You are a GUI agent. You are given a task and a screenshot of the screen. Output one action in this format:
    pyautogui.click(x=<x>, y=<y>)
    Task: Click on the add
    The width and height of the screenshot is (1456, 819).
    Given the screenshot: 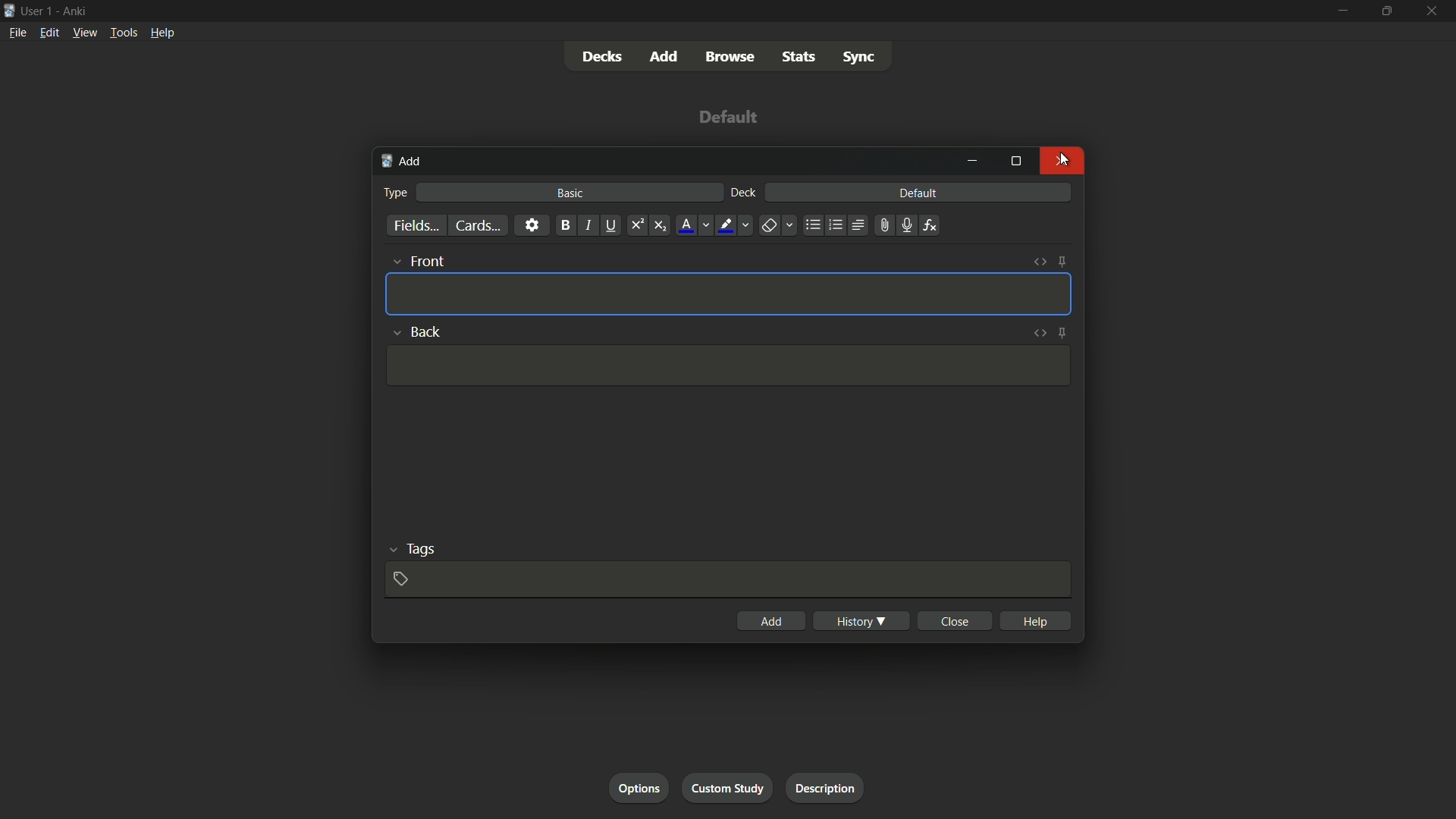 What is the action you would take?
    pyautogui.click(x=400, y=161)
    